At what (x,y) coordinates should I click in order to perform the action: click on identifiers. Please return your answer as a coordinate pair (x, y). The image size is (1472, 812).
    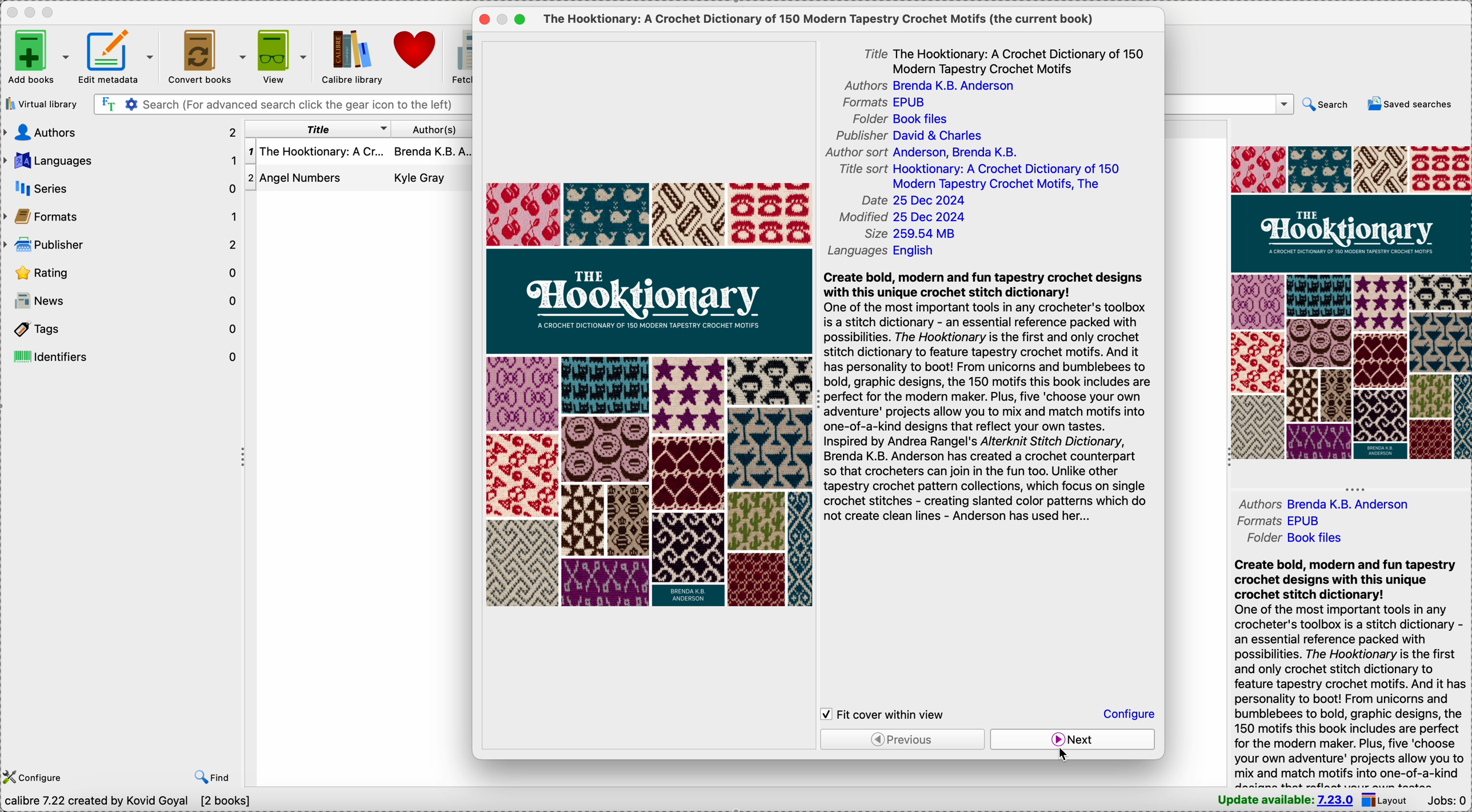
    Looking at the image, I should click on (125, 354).